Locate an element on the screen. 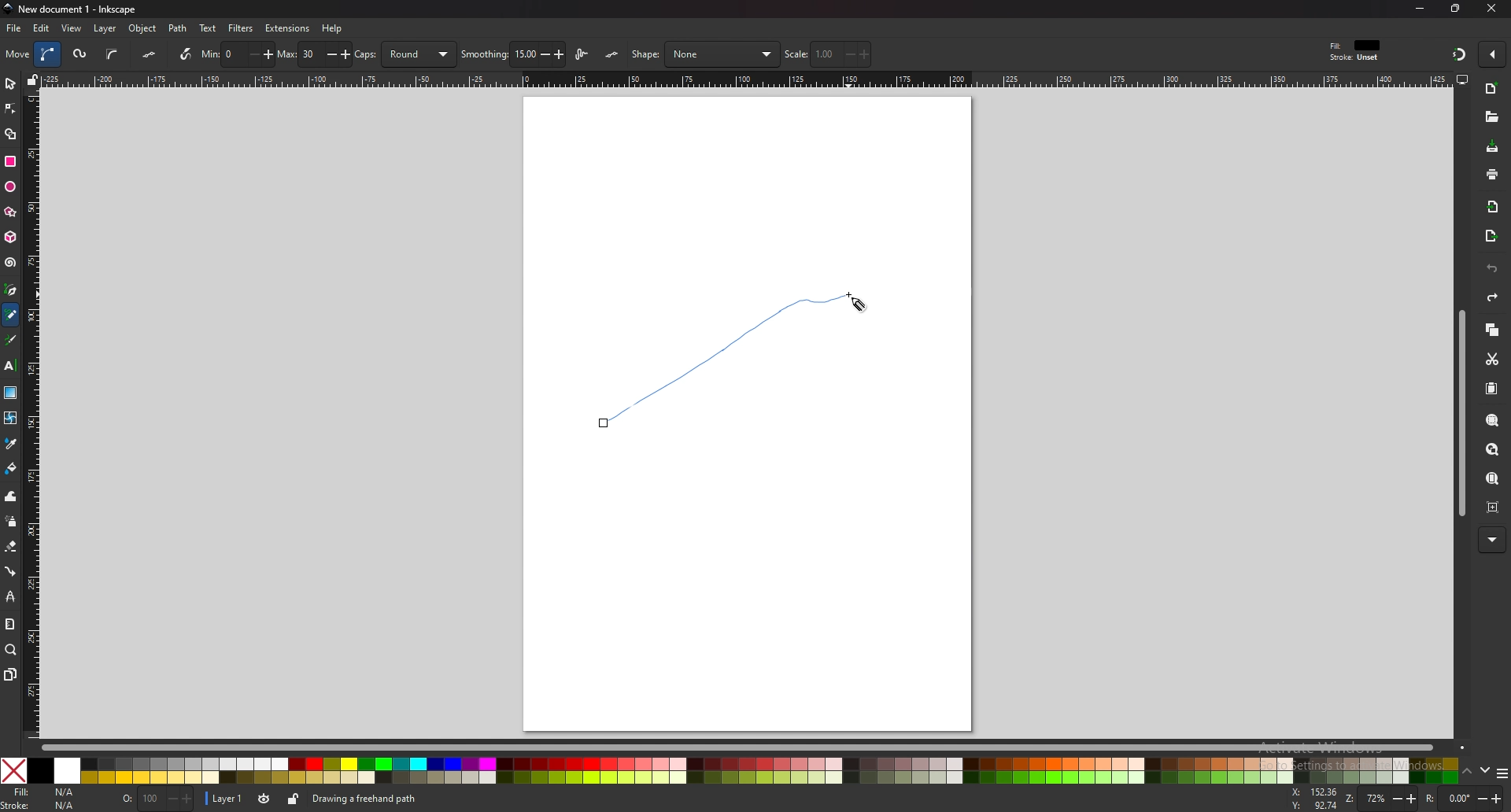 Image resolution: width=1511 pixels, height=812 pixels. rectangle is located at coordinates (10, 161).